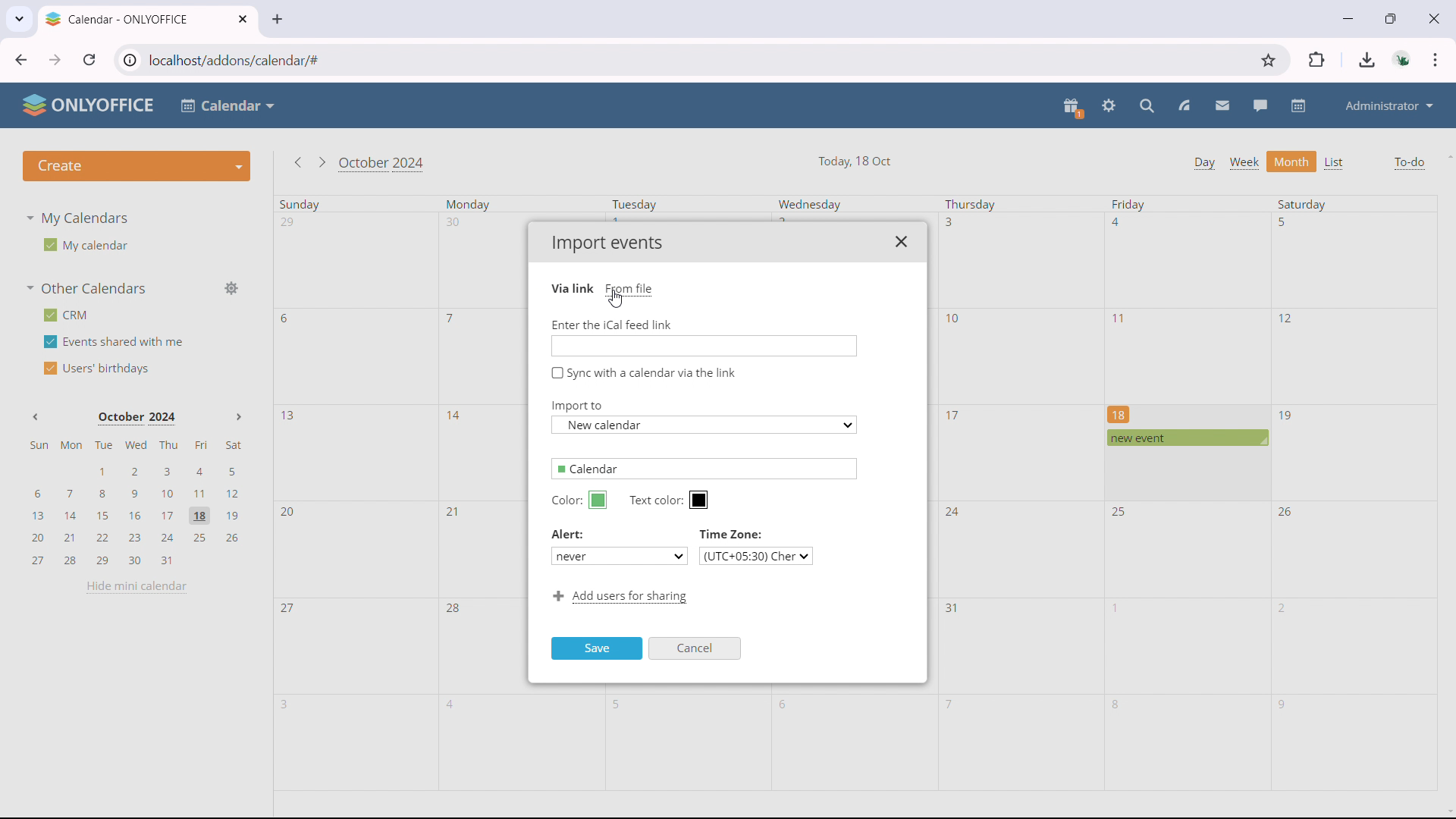 Image resolution: width=1456 pixels, height=819 pixels. Describe the element at coordinates (577, 406) in the screenshot. I see `Import to` at that location.